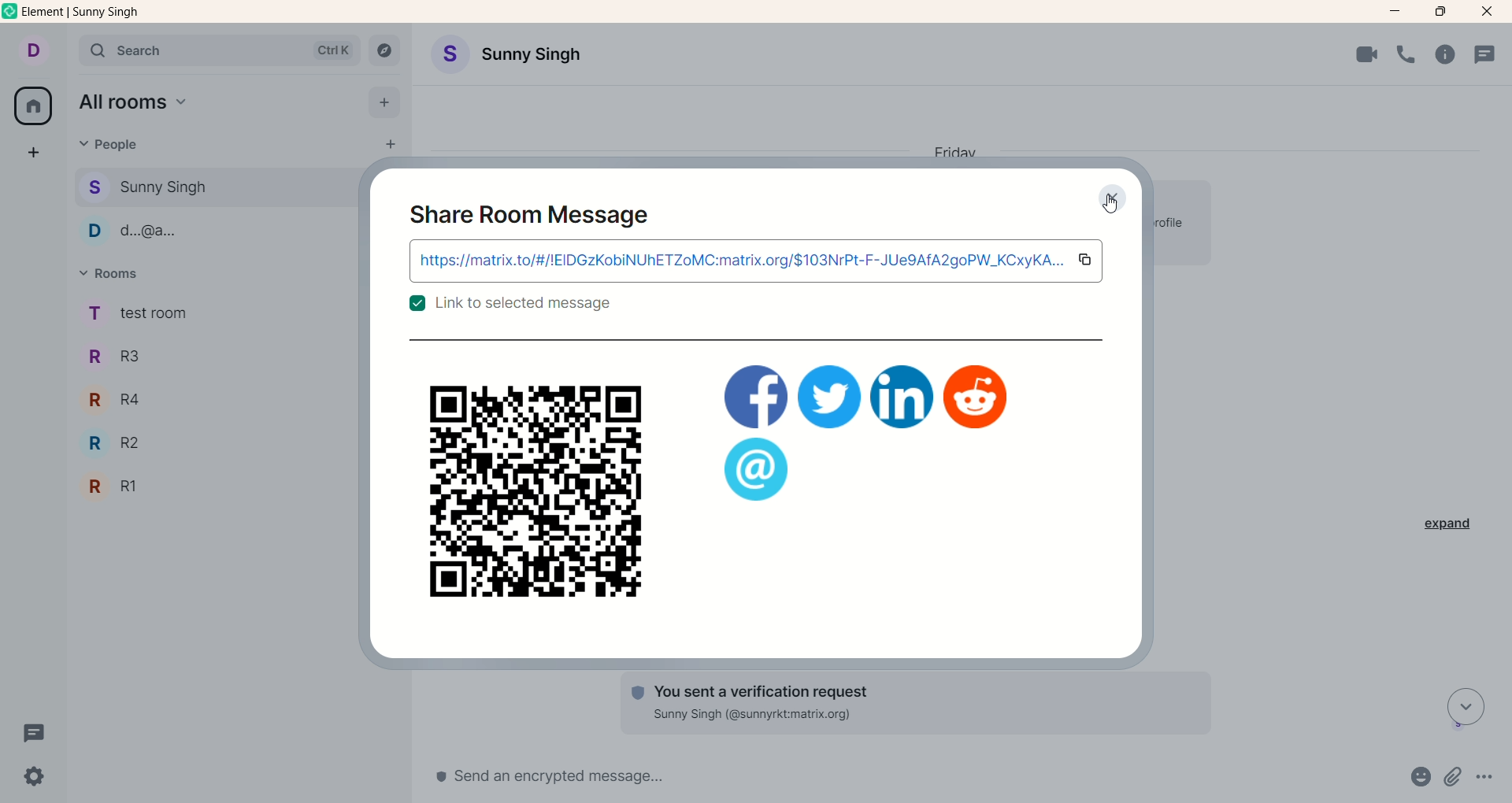 This screenshot has height=803, width=1512. What do you see at coordinates (118, 404) in the screenshot?
I see `R4` at bounding box center [118, 404].